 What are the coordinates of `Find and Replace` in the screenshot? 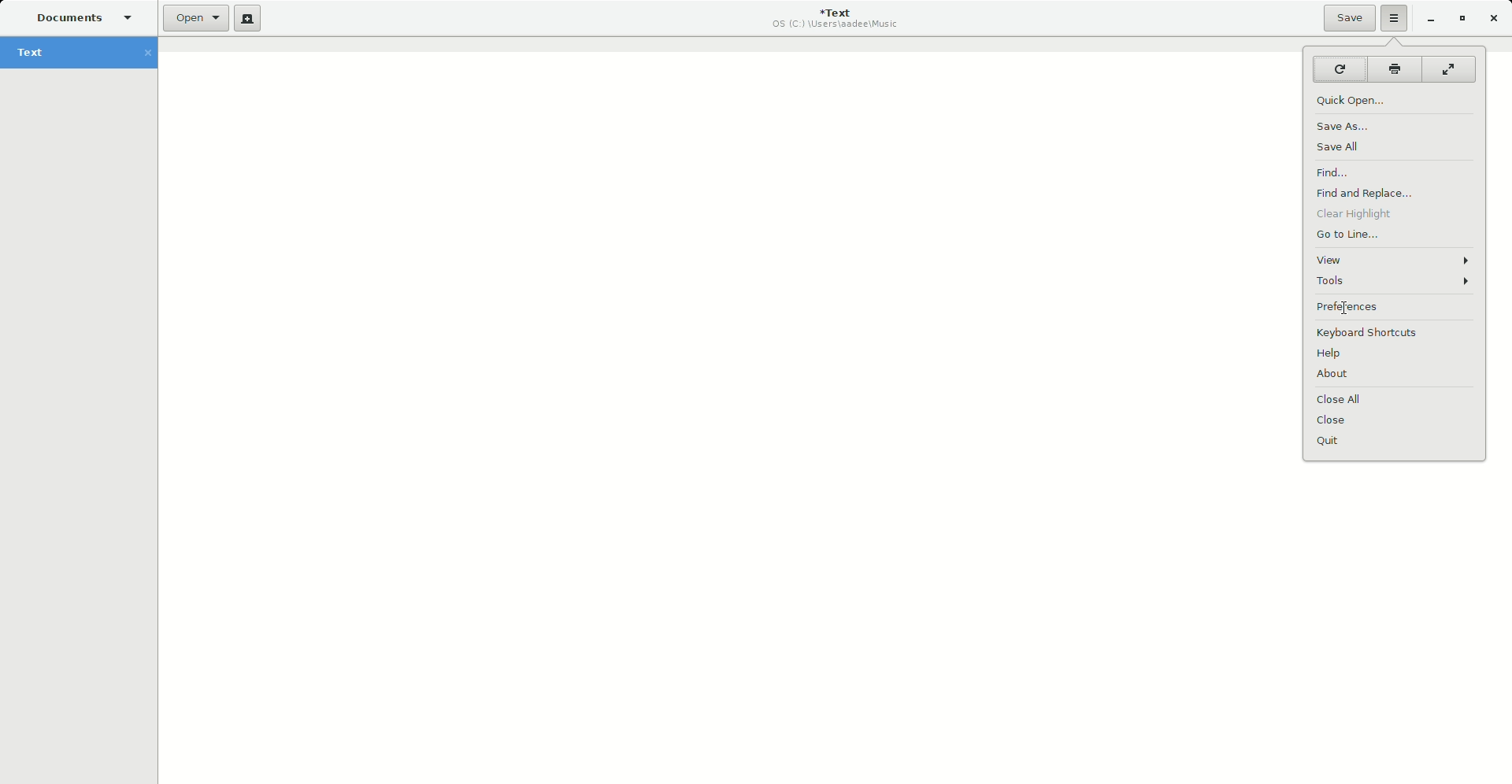 It's located at (1364, 193).